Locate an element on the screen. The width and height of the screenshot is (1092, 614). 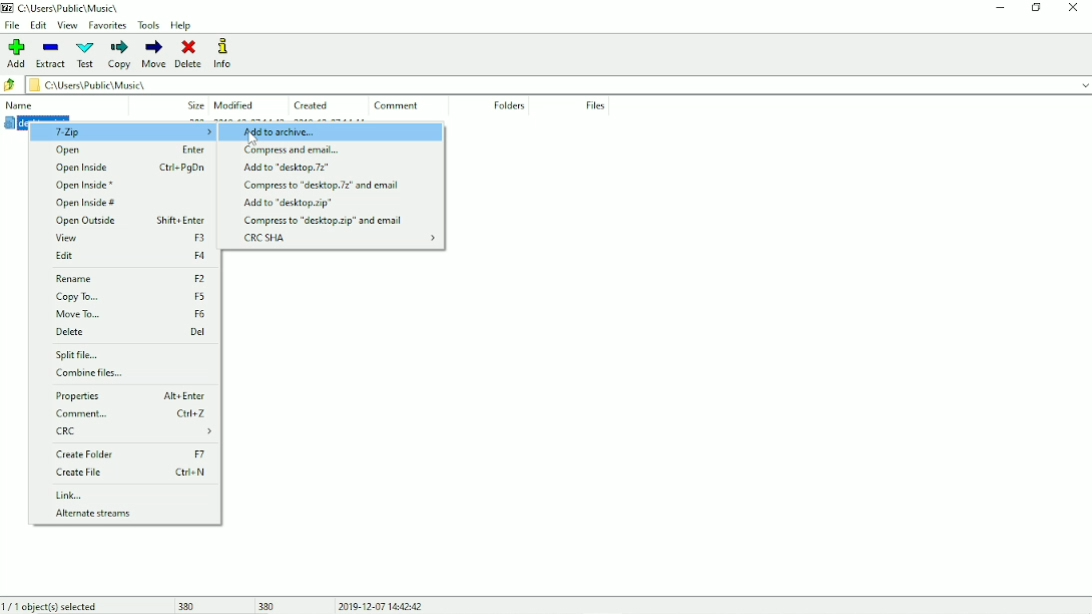
CRC SHA is located at coordinates (338, 238).